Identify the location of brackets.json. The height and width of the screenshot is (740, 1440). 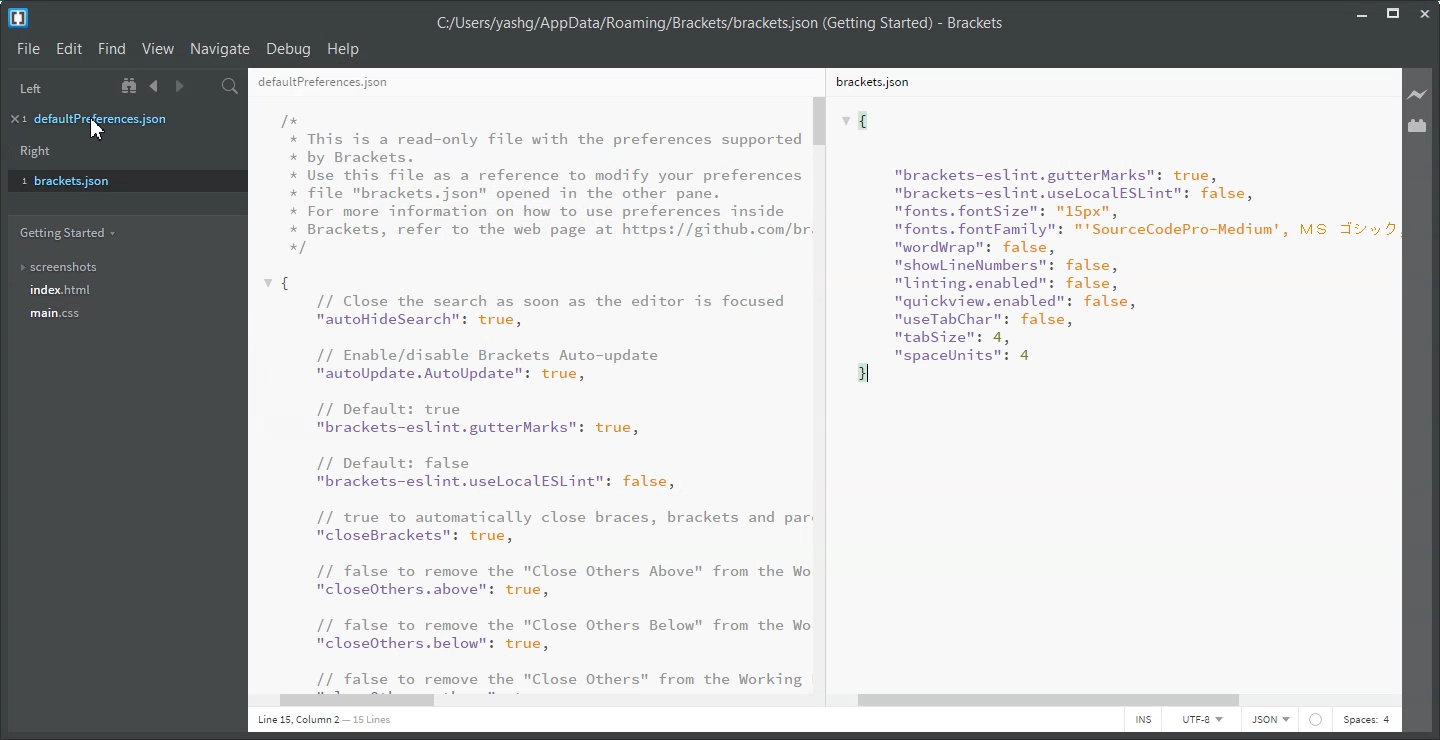
(121, 180).